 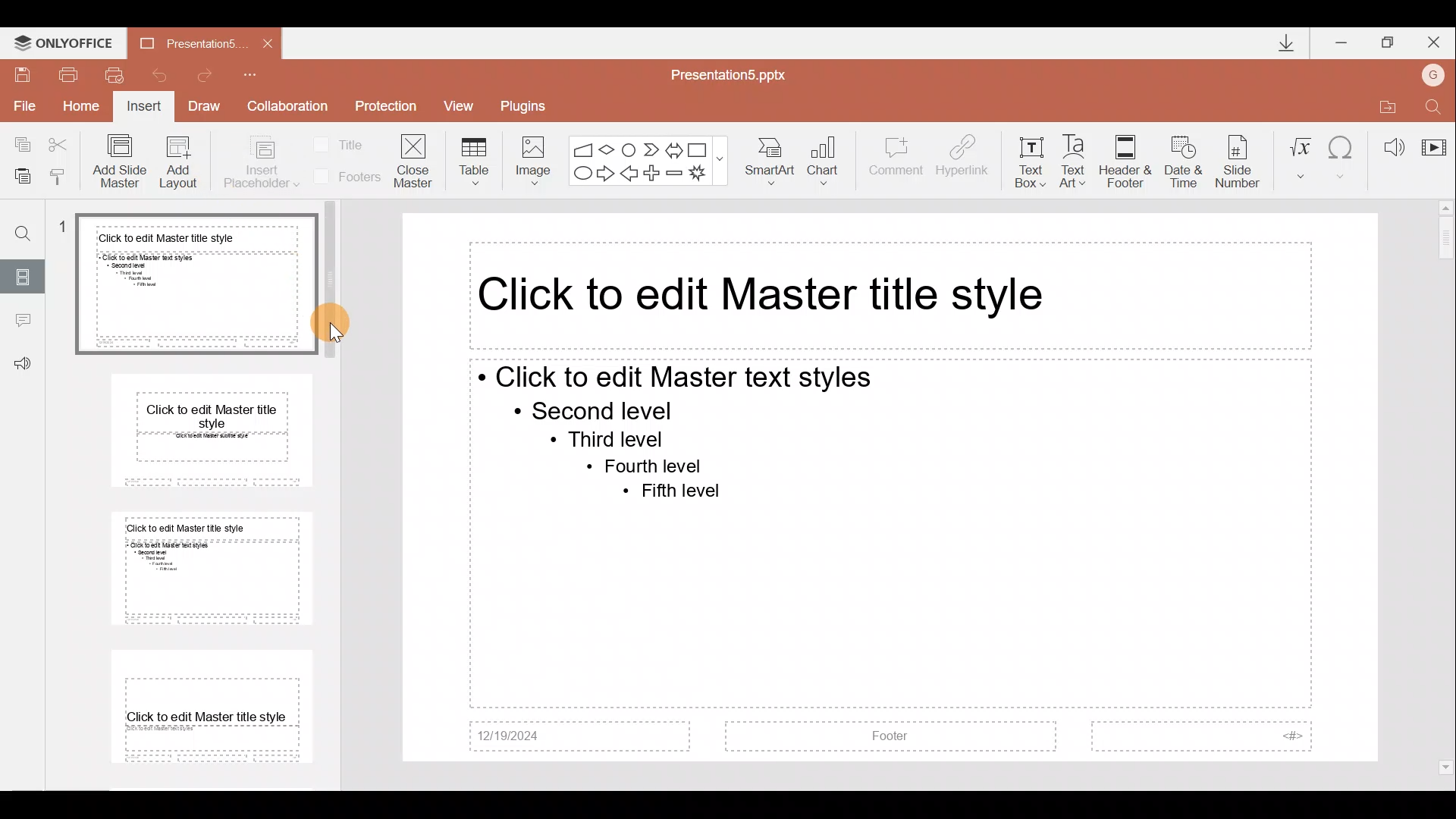 What do you see at coordinates (1342, 39) in the screenshot?
I see `Minimize` at bounding box center [1342, 39].